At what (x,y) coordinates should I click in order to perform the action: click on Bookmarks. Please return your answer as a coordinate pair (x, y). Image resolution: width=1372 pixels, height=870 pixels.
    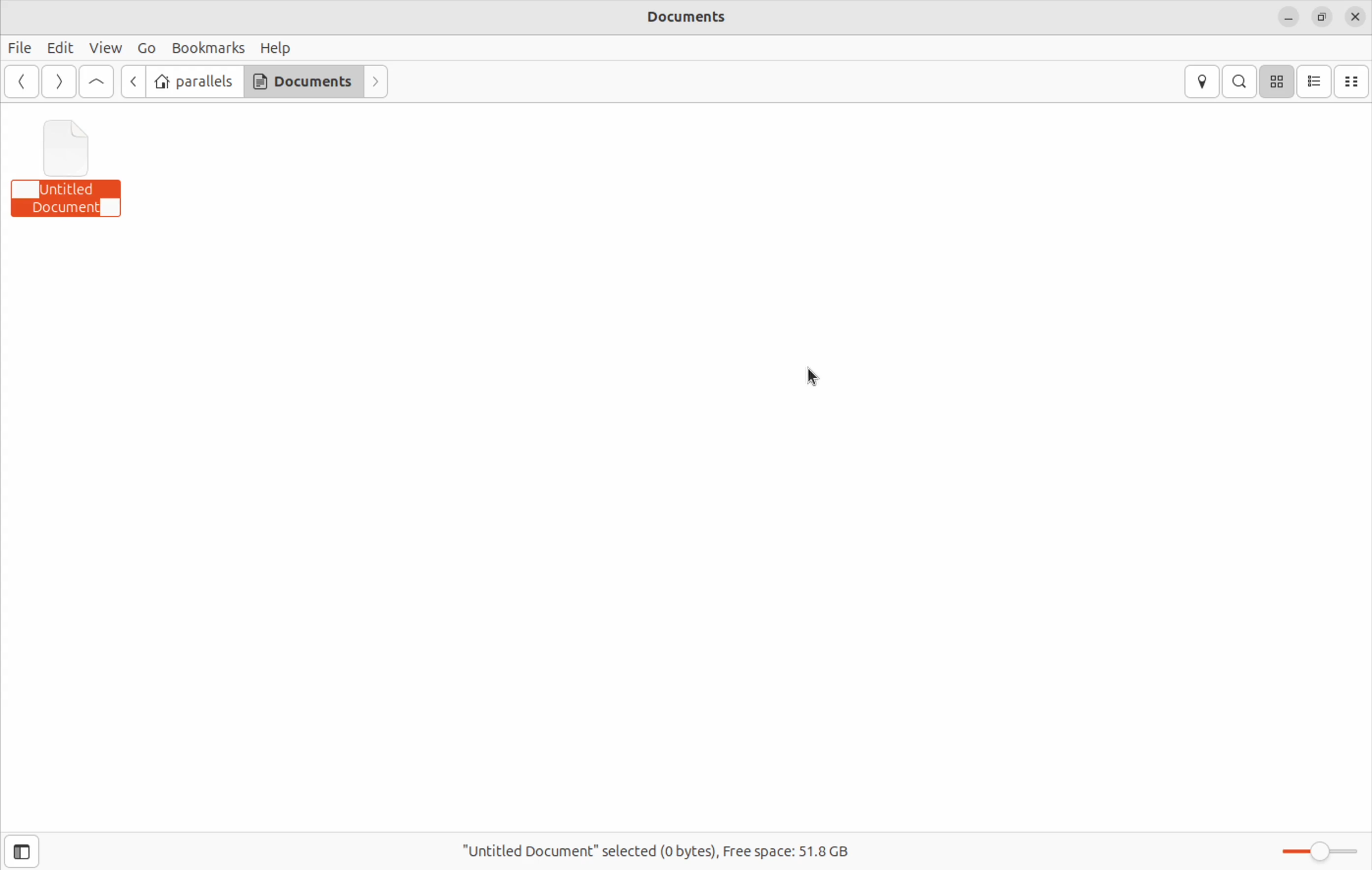
    Looking at the image, I should click on (207, 48).